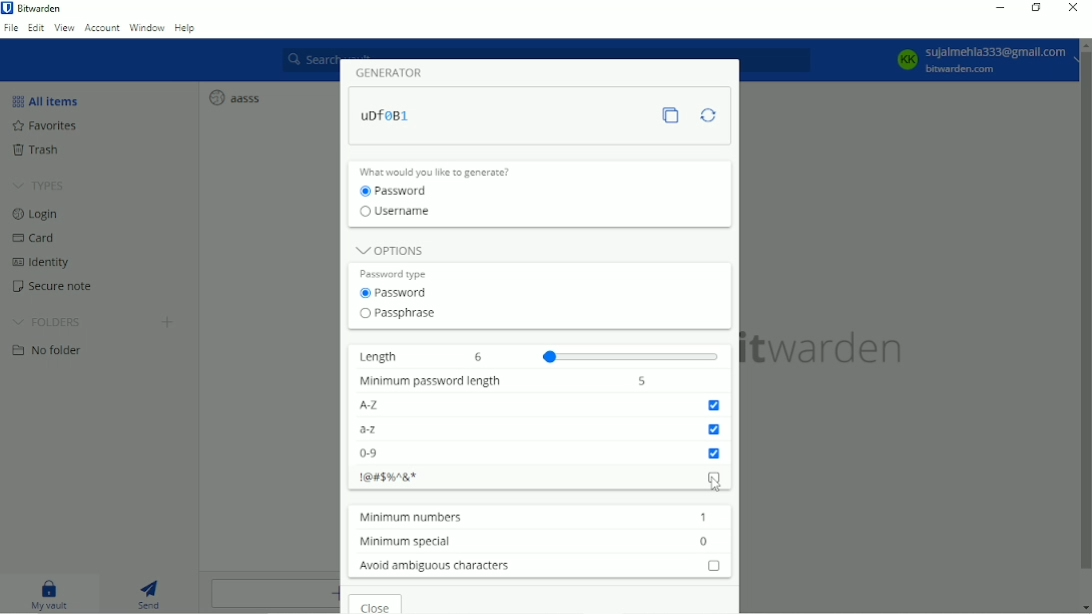 The image size is (1092, 614). Describe the element at coordinates (390, 246) in the screenshot. I see `Options` at that location.